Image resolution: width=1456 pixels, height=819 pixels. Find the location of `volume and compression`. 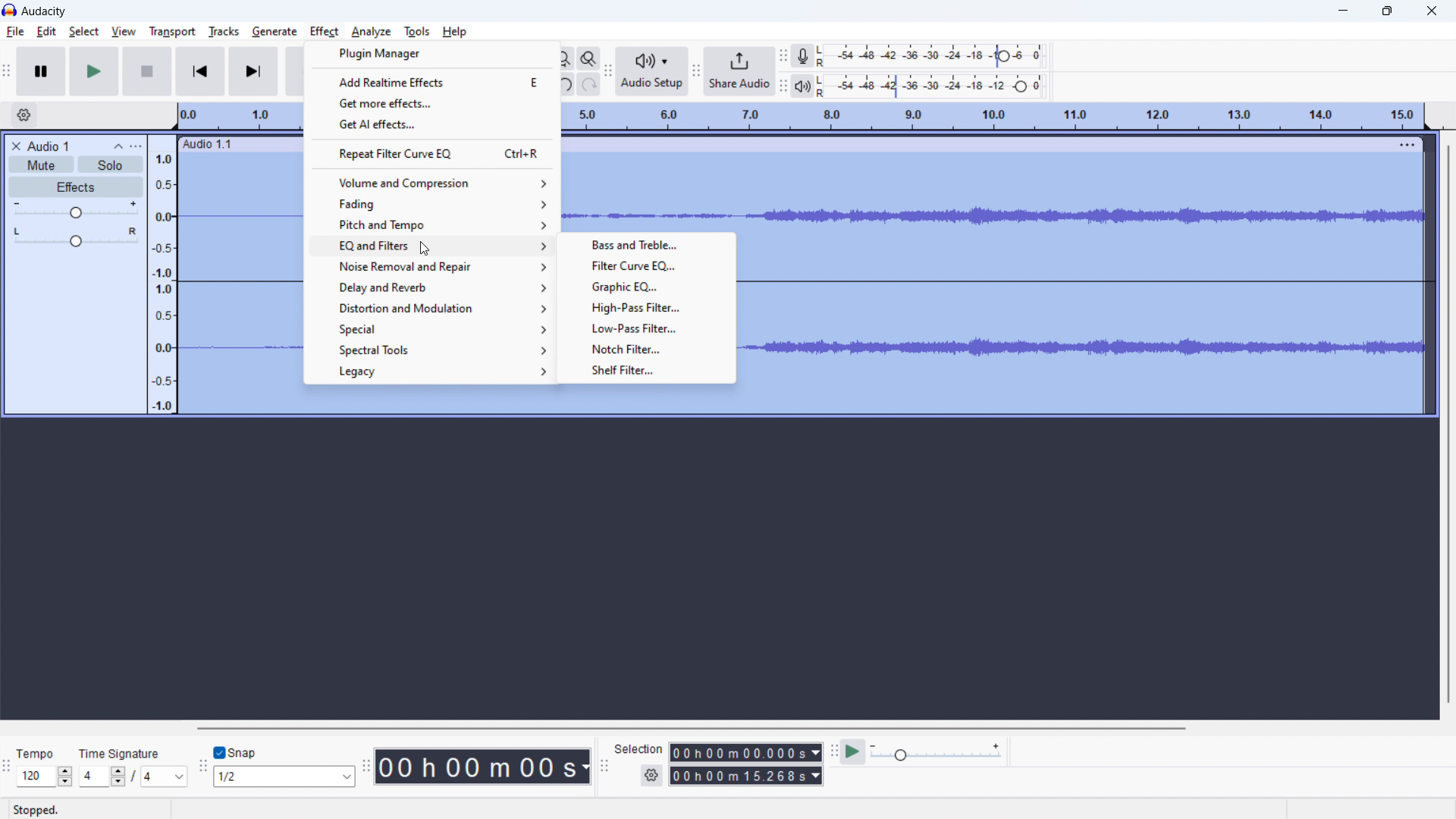

volume and compression is located at coordinates (432, 183).